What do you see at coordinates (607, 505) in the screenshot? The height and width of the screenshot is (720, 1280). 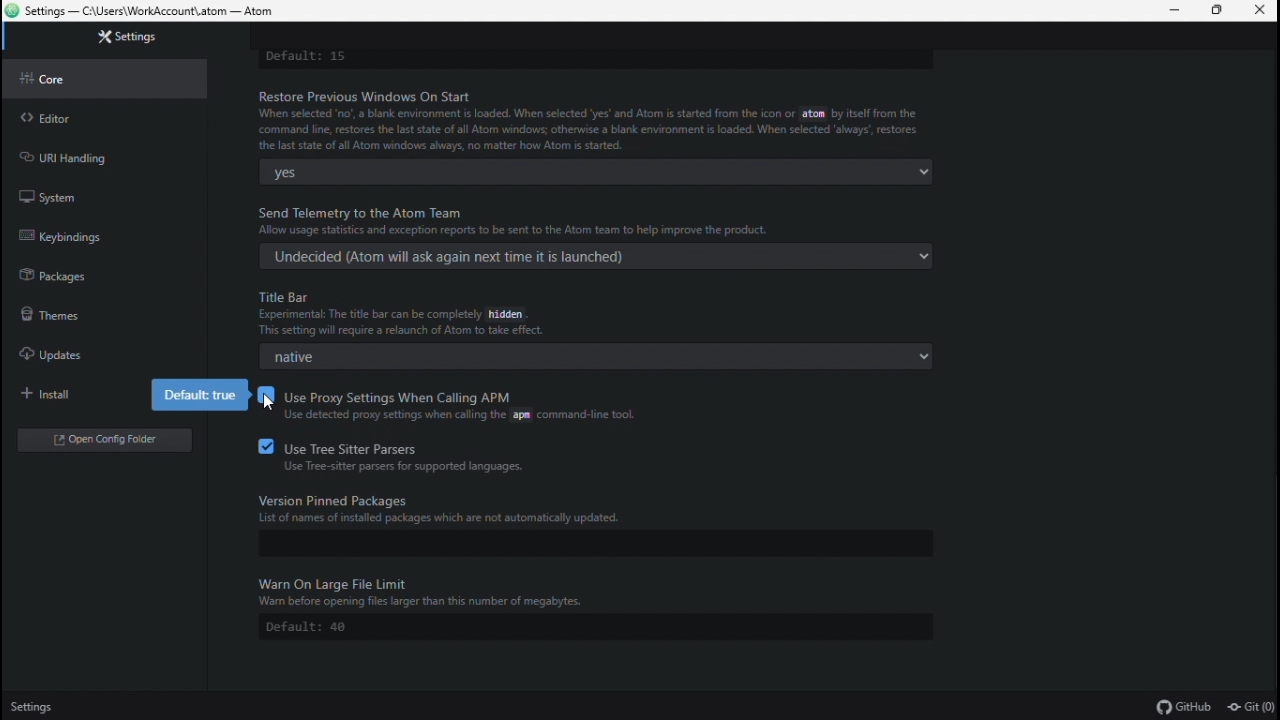 I see `Version pinned packages` at bounding box center [607, 505].